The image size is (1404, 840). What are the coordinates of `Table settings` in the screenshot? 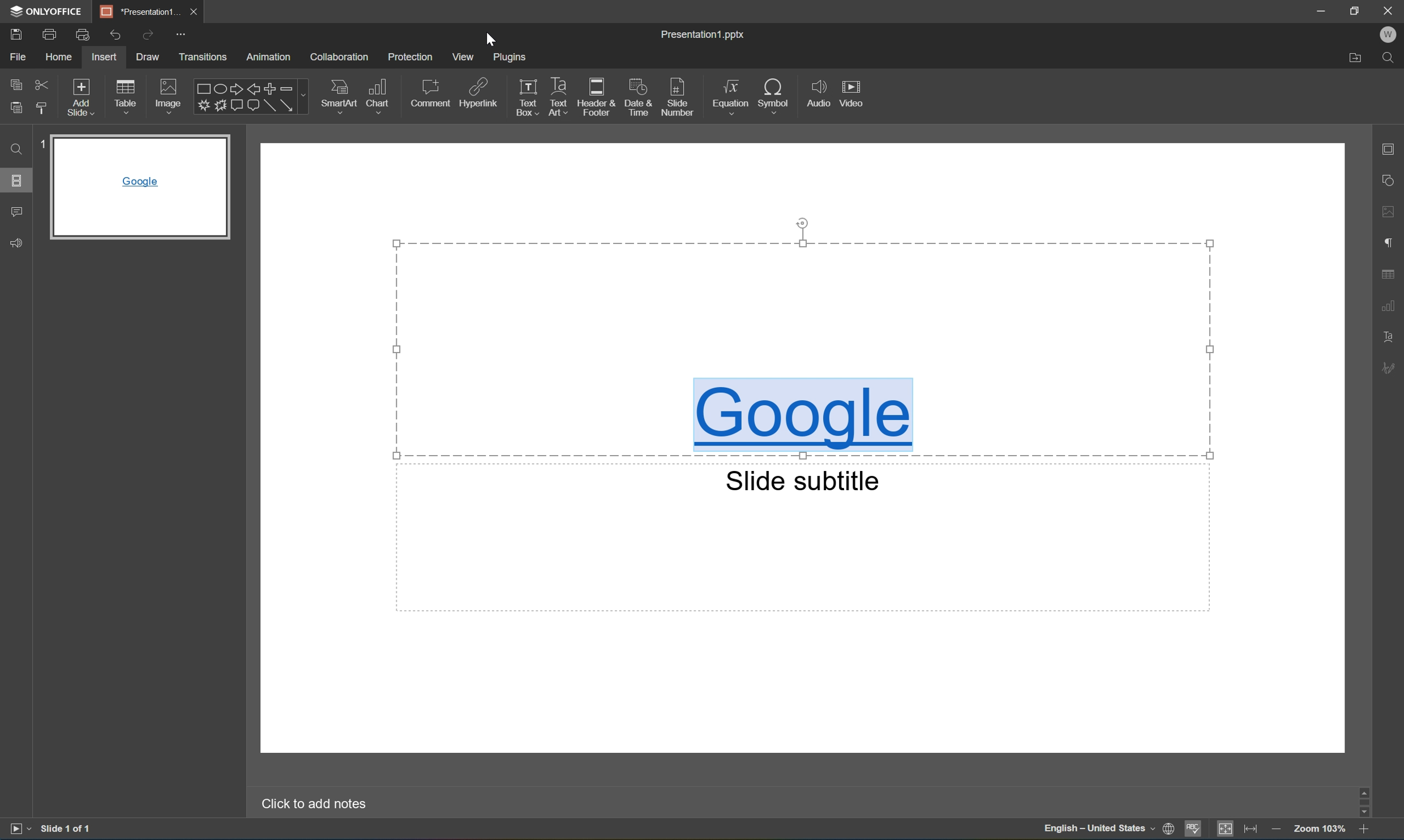 It's located at (1389, 274).